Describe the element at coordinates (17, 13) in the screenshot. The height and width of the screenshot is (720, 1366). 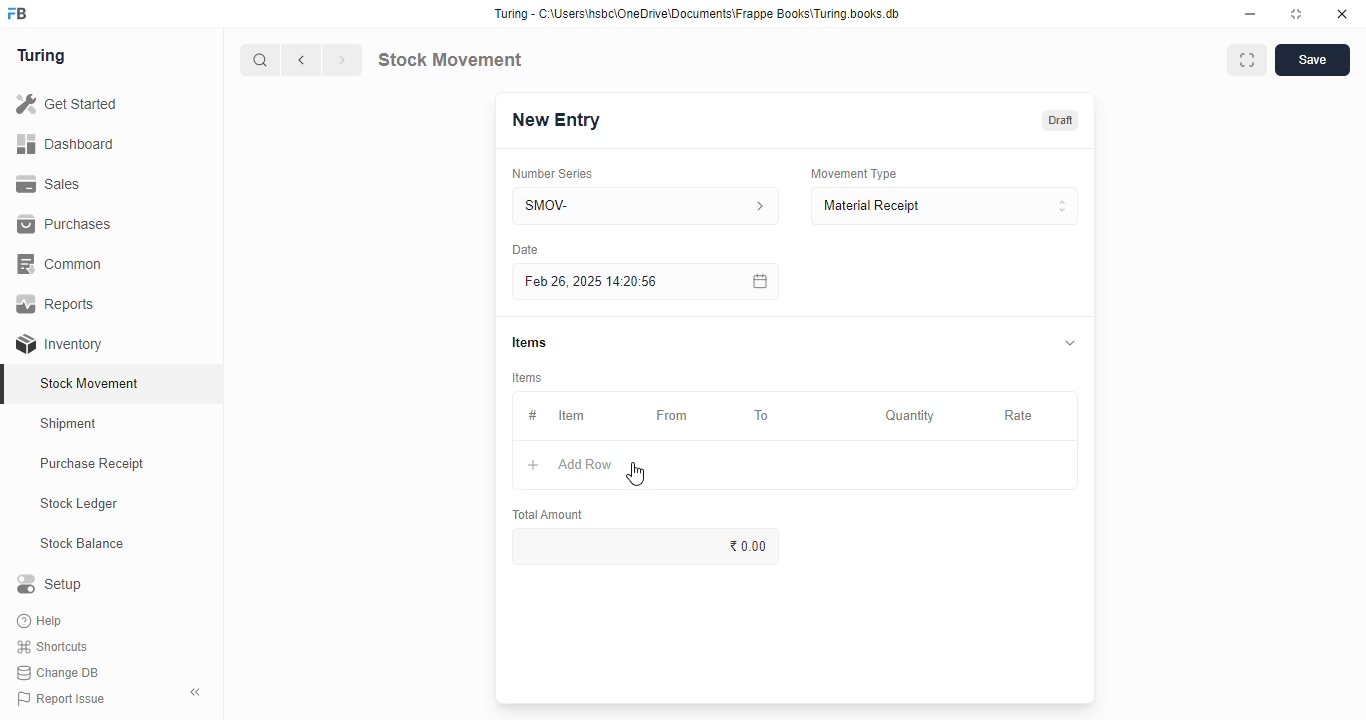
I see `FB-logo` at that location.